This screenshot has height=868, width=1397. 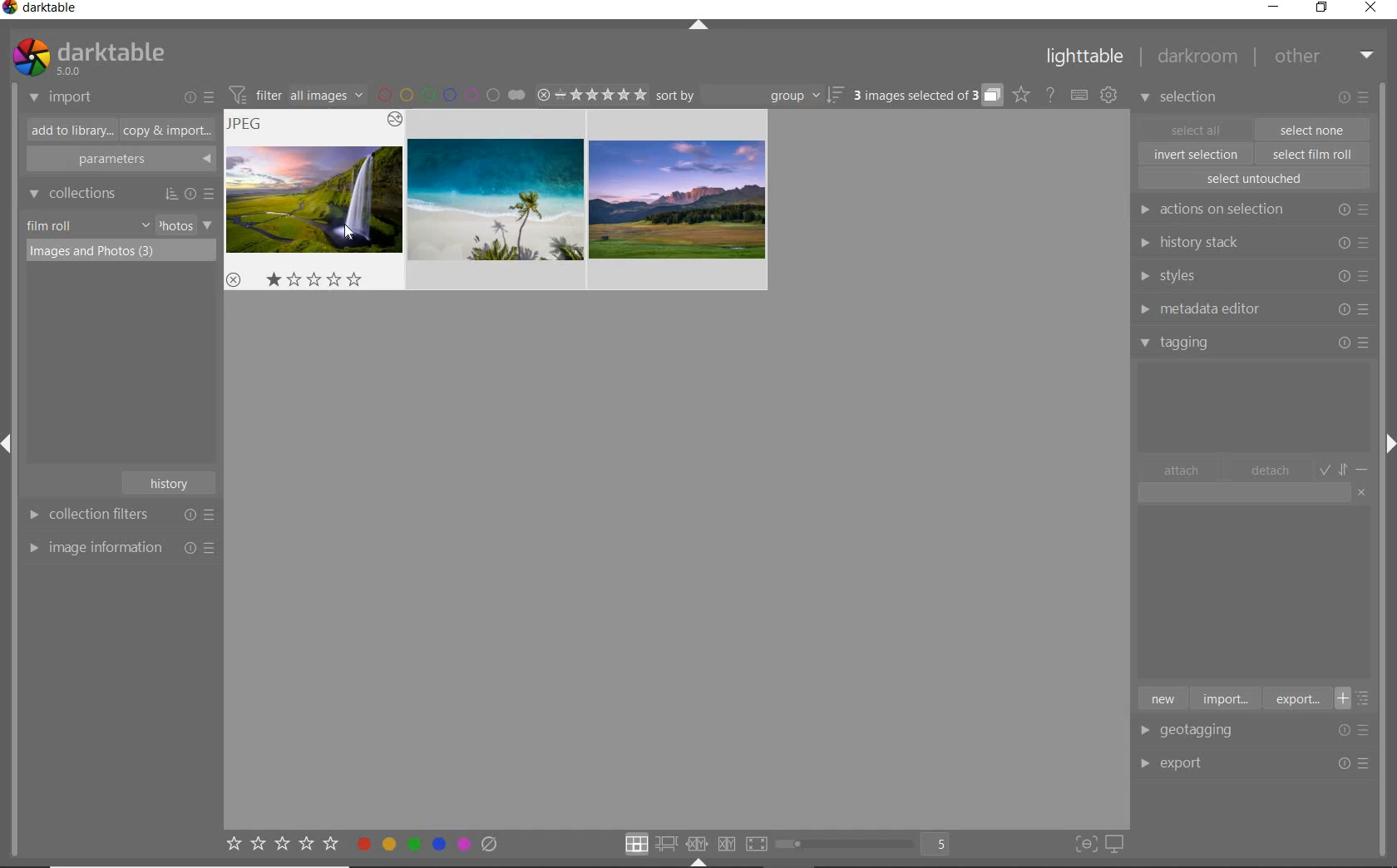 I want to click on collection filters, so click(x=119, y=514).